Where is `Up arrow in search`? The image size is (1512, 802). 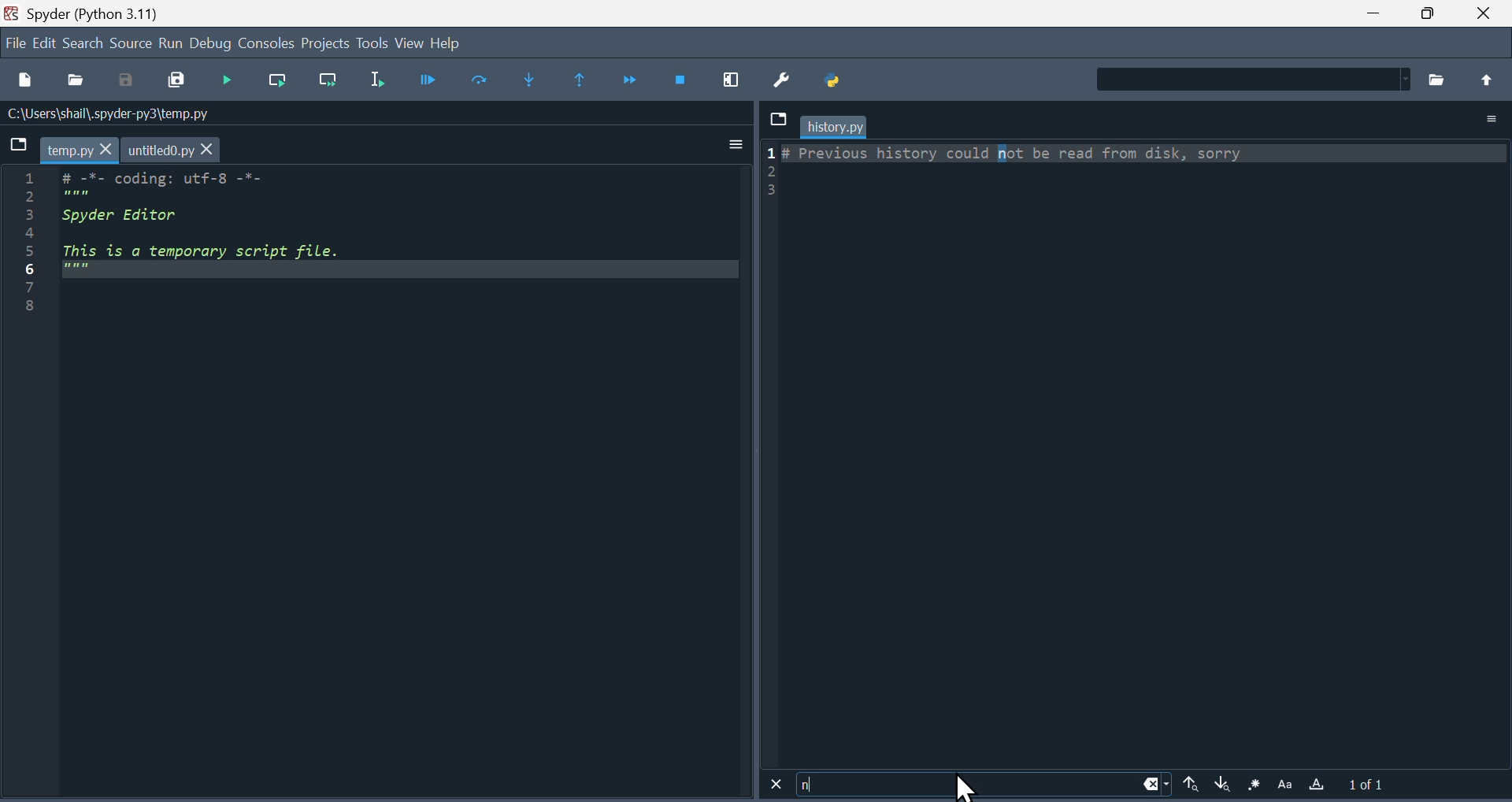 Up arrow in search is located at coordinates (1191, 787).